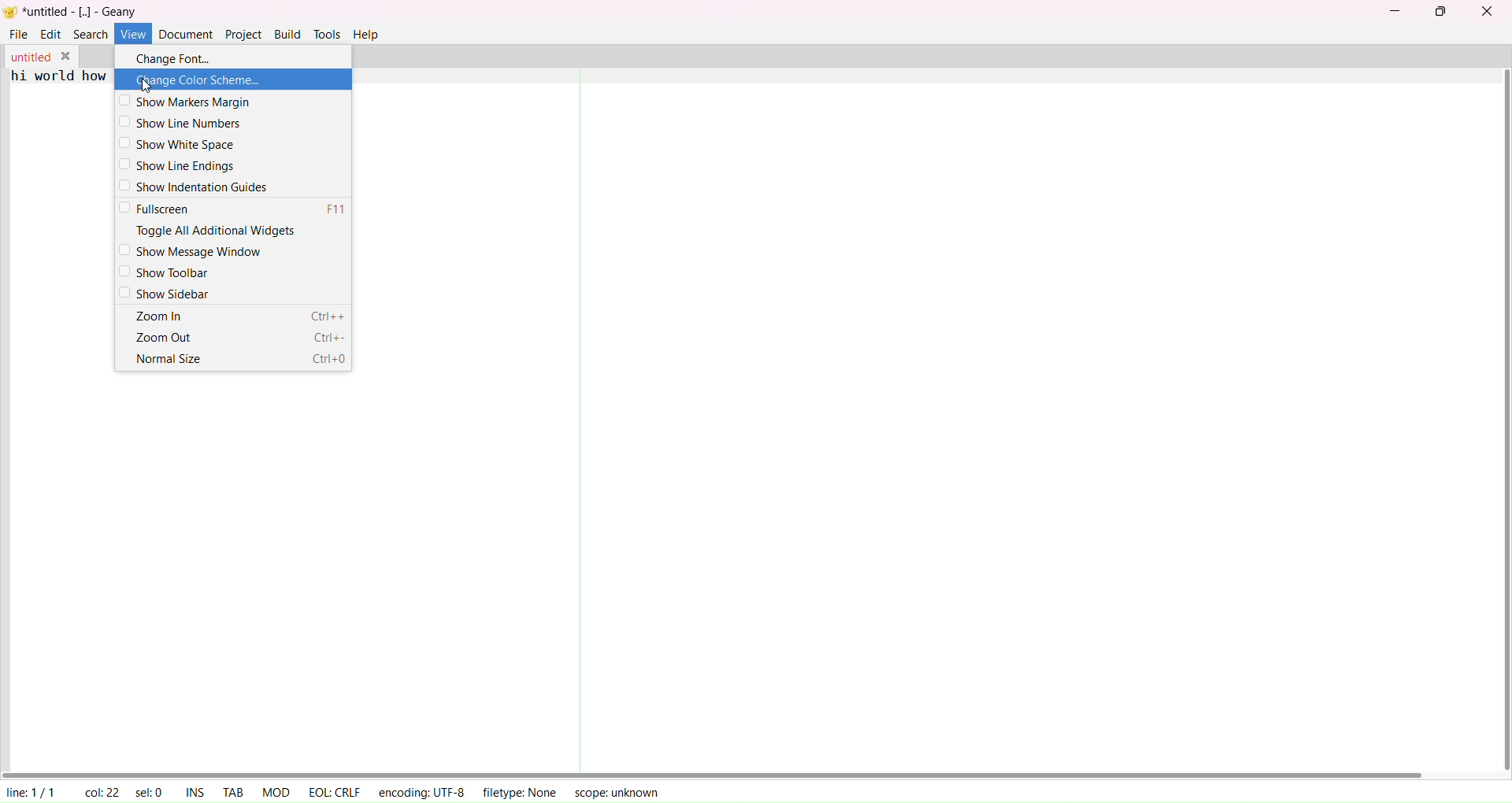 The image size is (1512, 803). What do you see at coordinates (231, 792) in the screenshot?
I see `tab` at bounding box center [231, 792].